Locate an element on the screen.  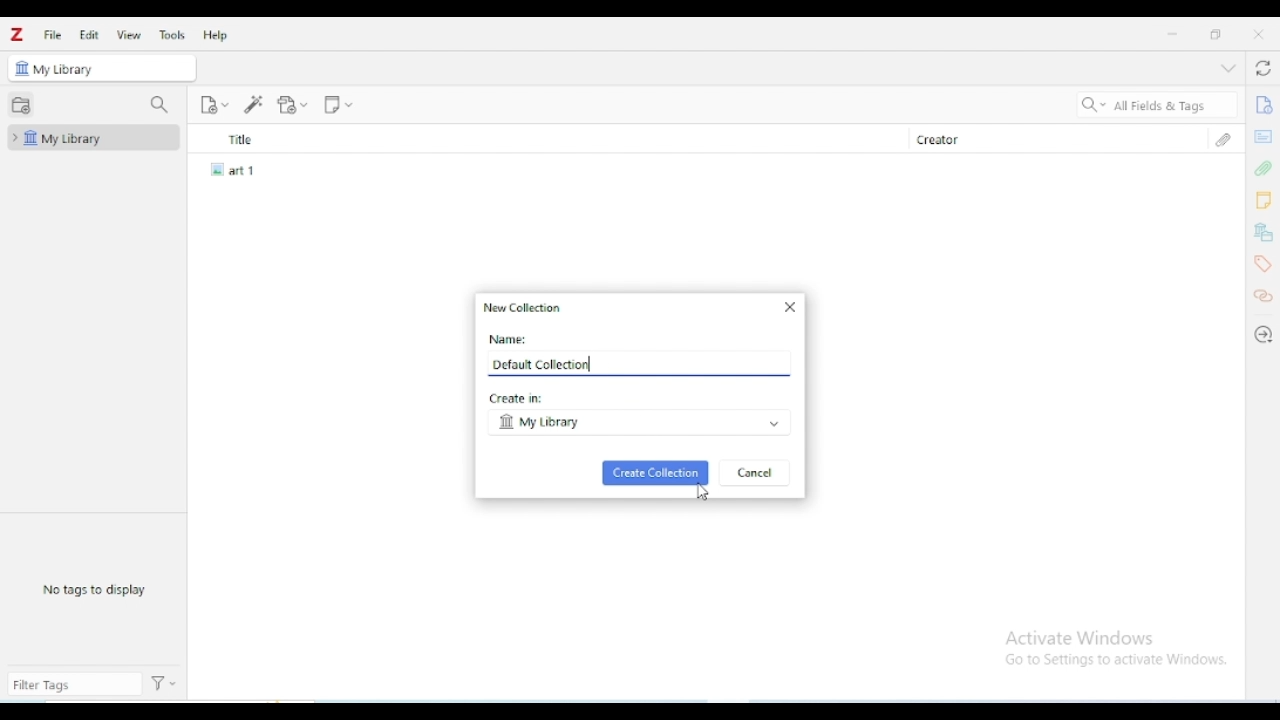
collapse section is located at coordinates (1228, 69).